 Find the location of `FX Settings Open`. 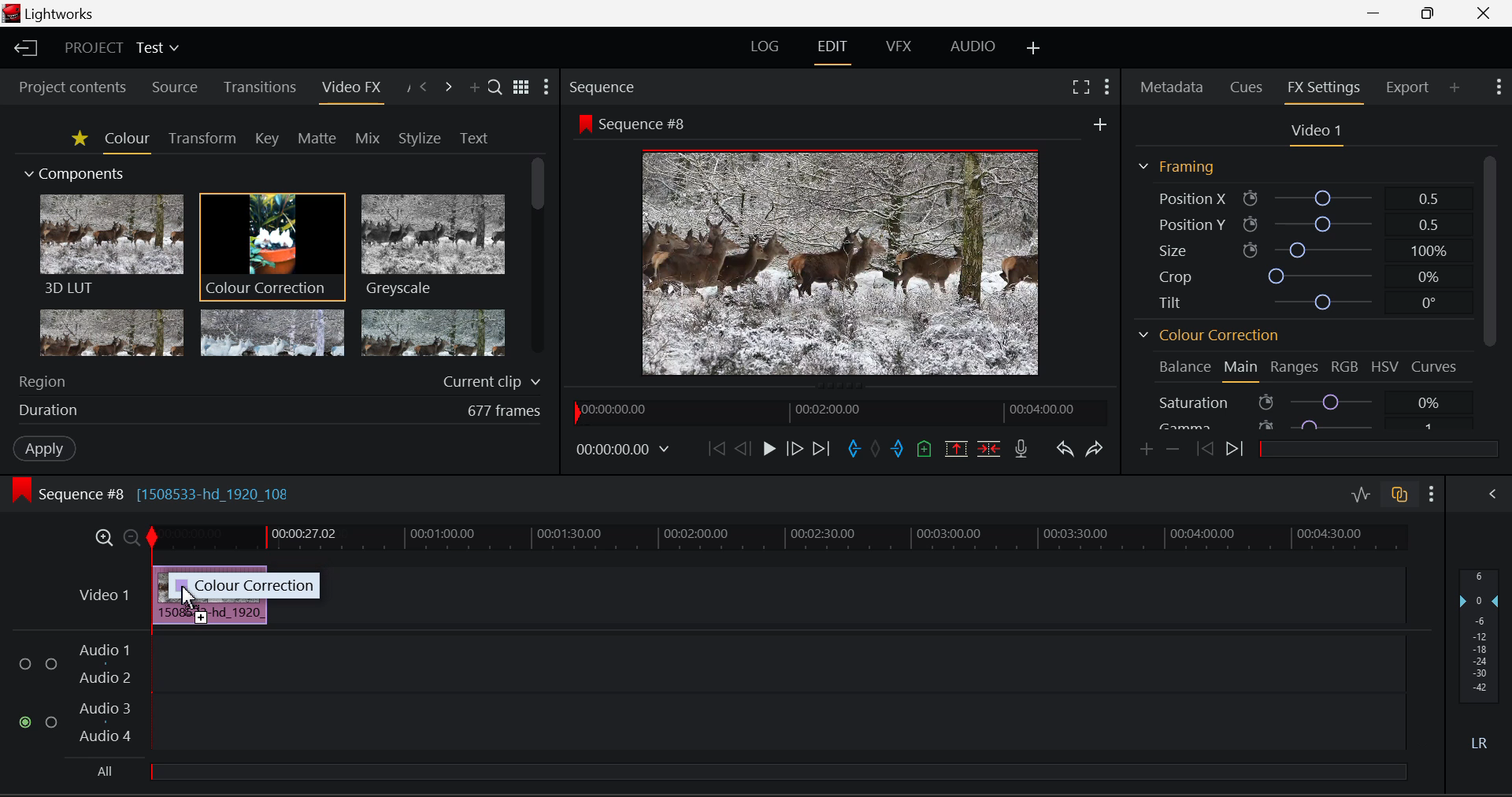

FX Settings Open is located at coordinates (1323, 89).